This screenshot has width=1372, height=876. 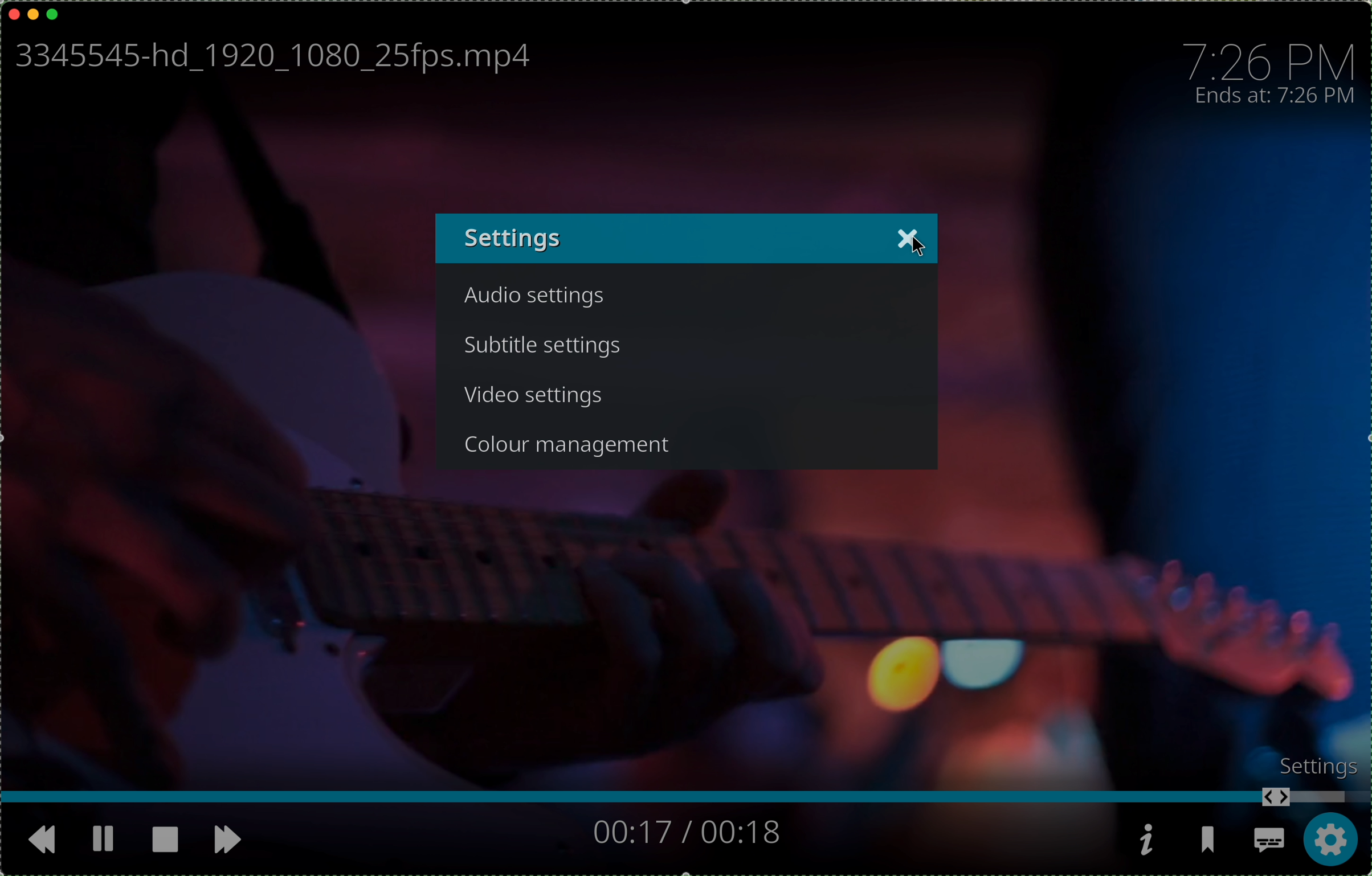 What do you see at coordinates (1146, 840) in the screenshot?
I see `information video` at bounding box center [1146, 840].